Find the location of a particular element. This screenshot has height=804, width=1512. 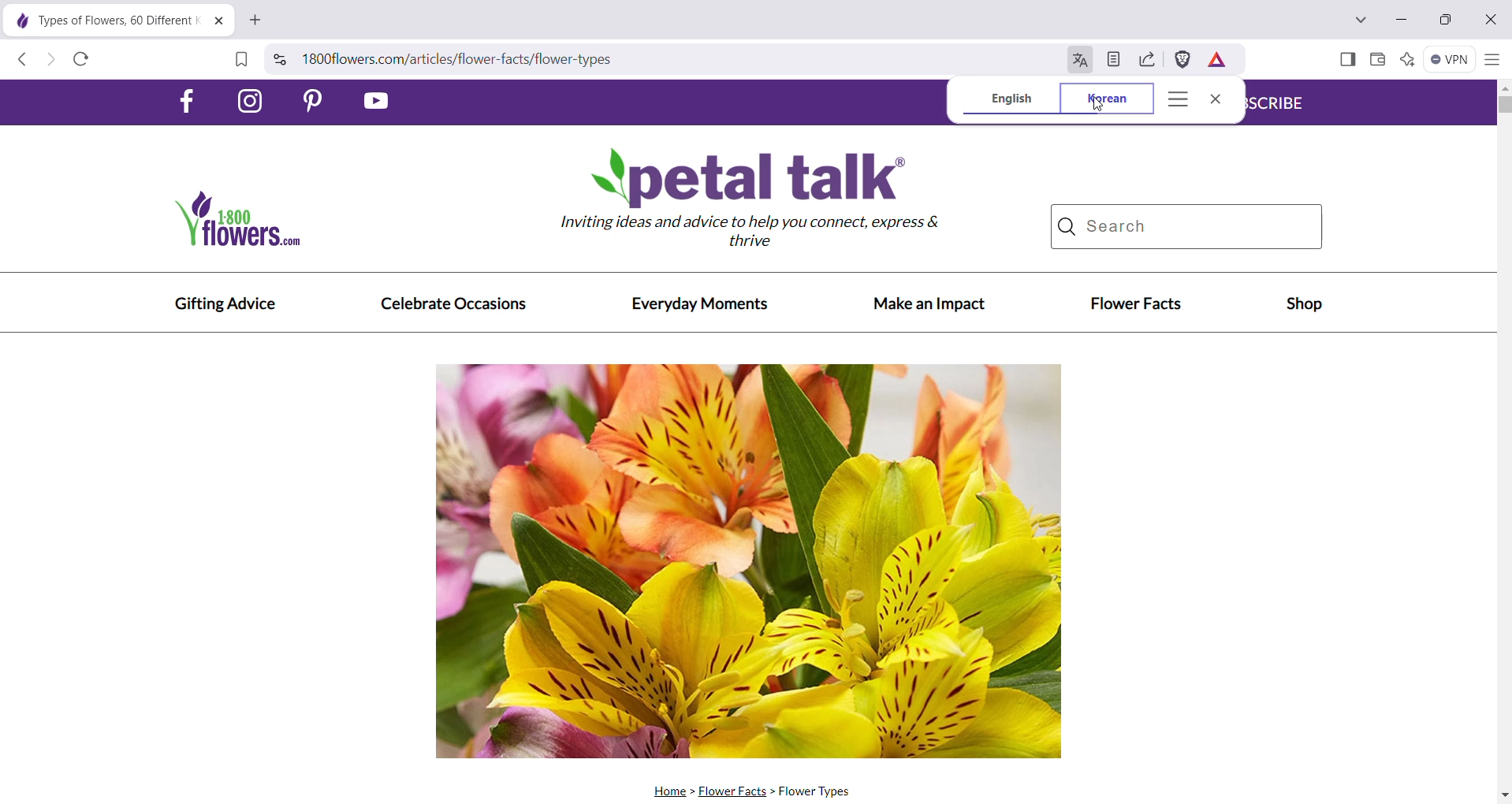

Minimize is located at coordinates (1399, 20).